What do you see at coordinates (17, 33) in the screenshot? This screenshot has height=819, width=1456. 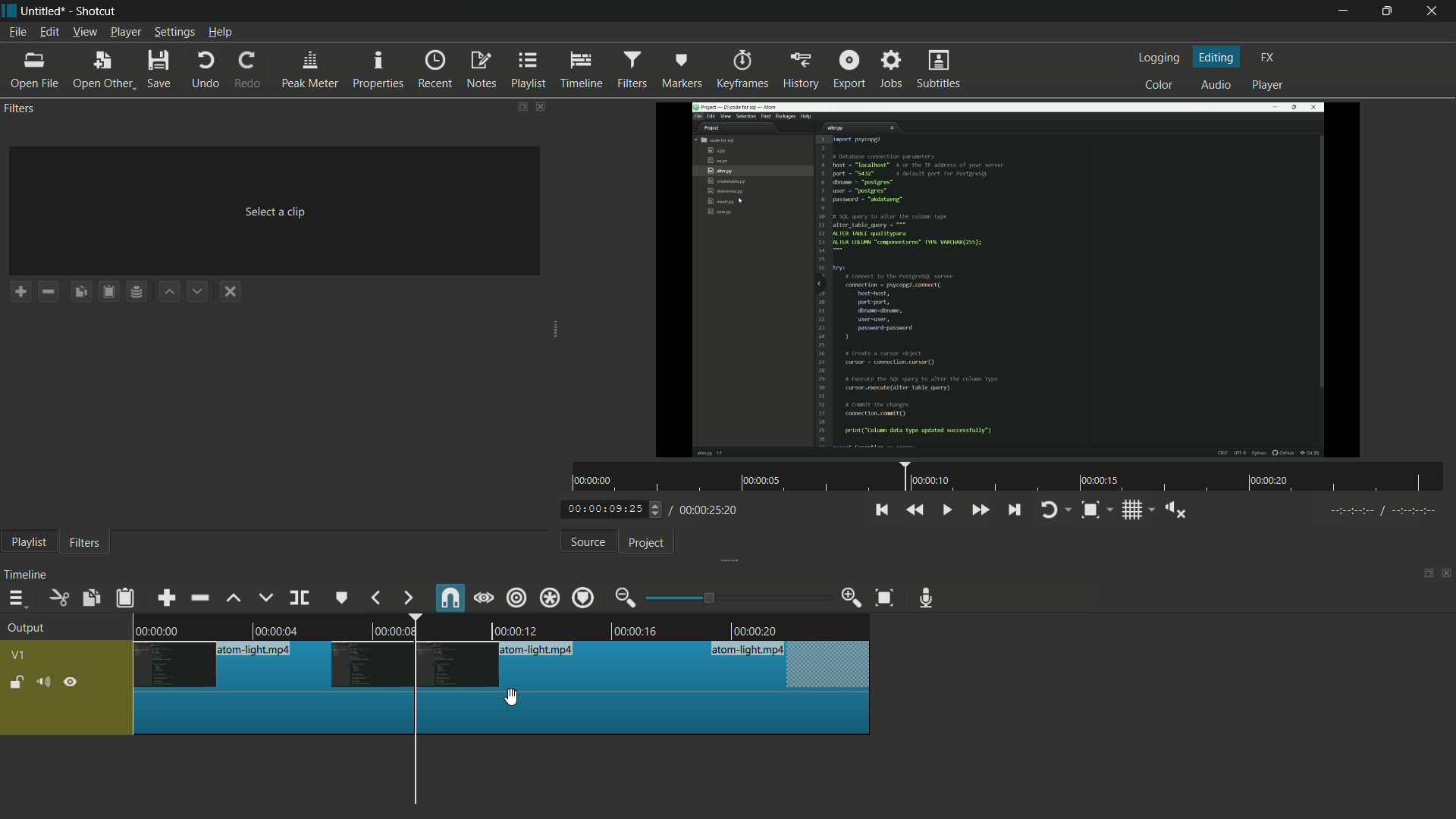 I see `file menu` at bounding box center [17, 33].